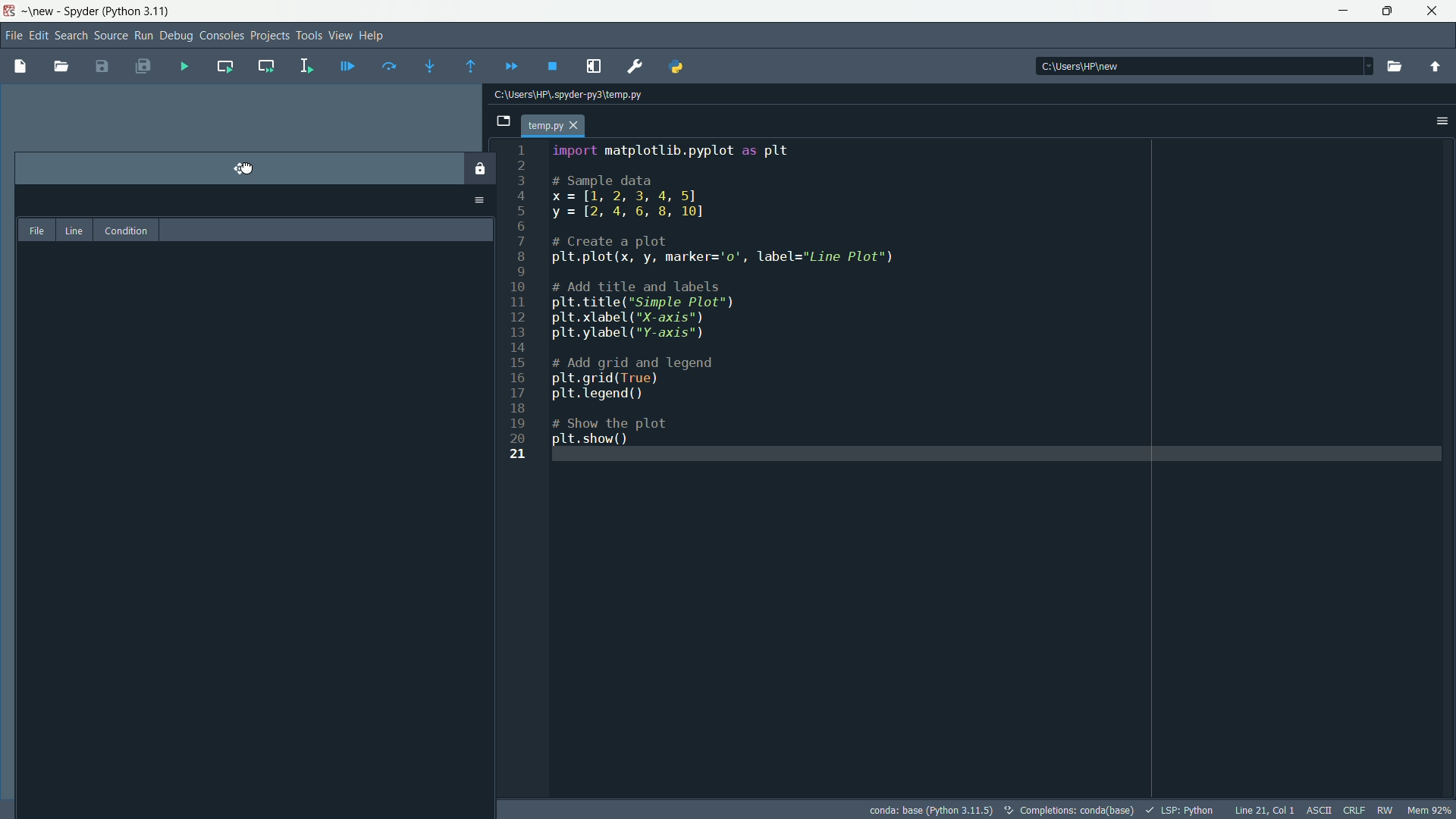 Image resolution: width=1456 pixels, height=819 pixels. What do you see at coordinates (348, 64) in the screenshot?
I see `debug file` at bounding box center [348, 64].